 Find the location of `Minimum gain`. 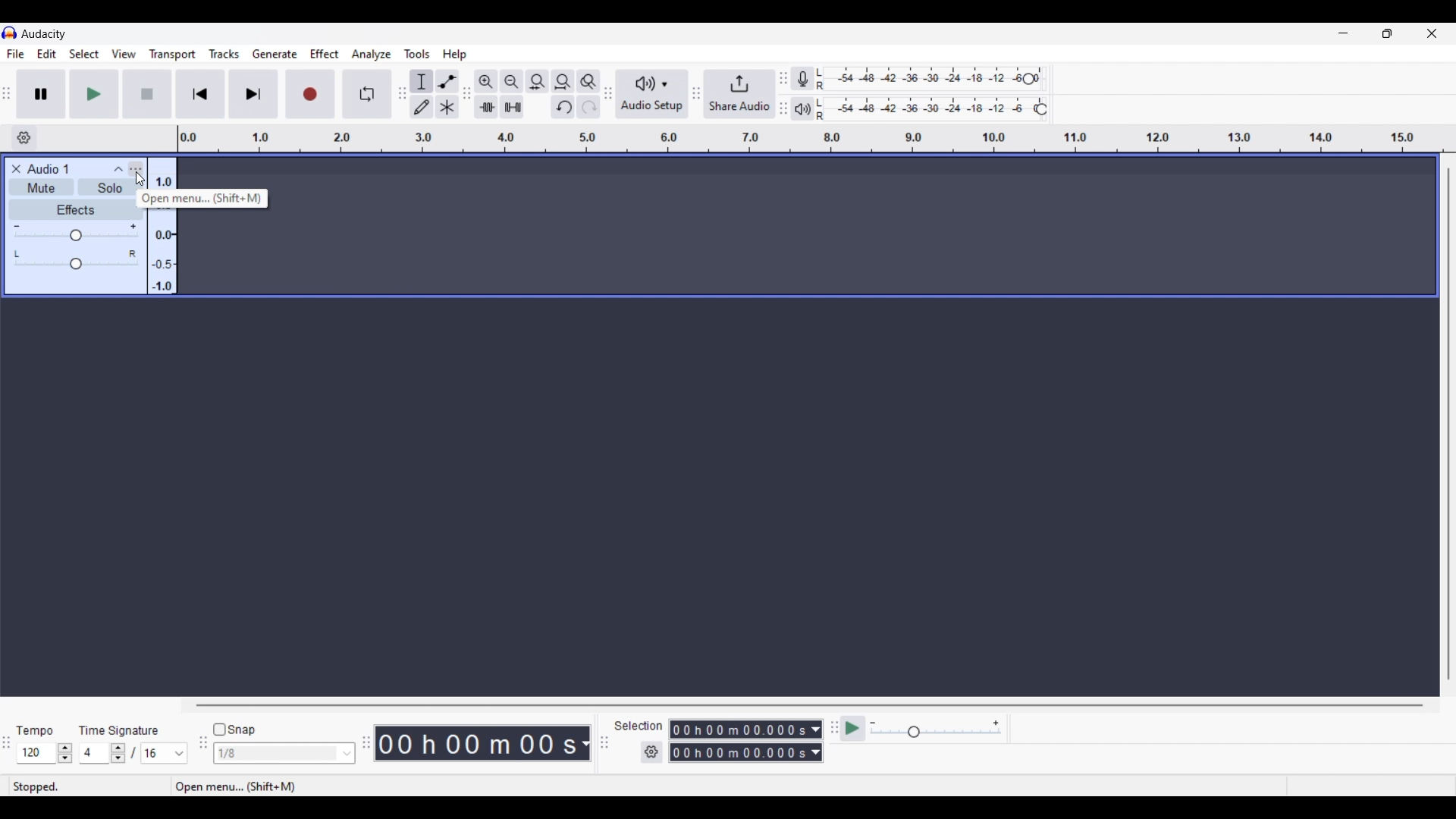

Minimum gain is located at coordinates (19, 224).